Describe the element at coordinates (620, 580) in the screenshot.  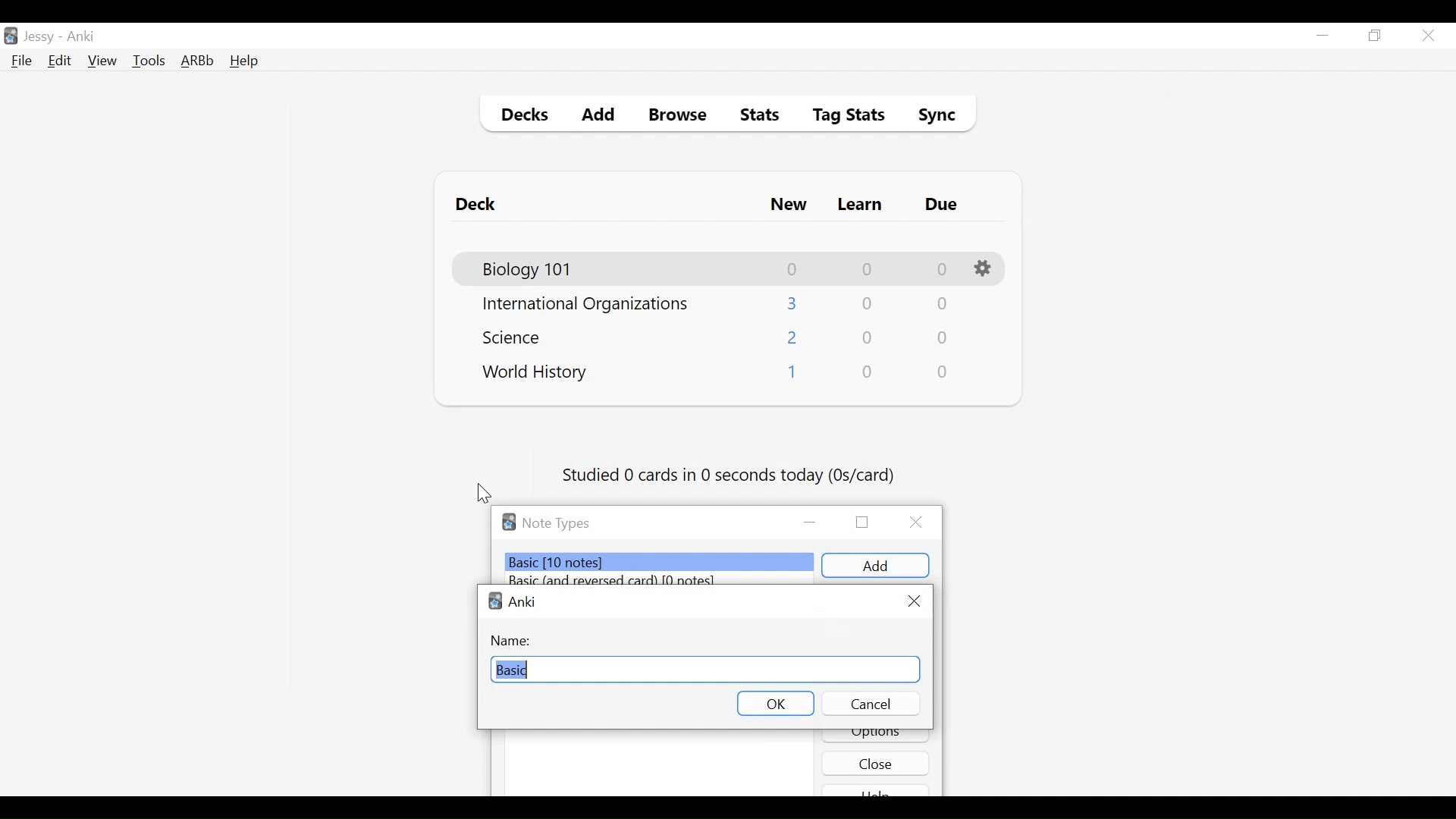
I see `Basic (and reversed card)  (number of notes)` at that location.